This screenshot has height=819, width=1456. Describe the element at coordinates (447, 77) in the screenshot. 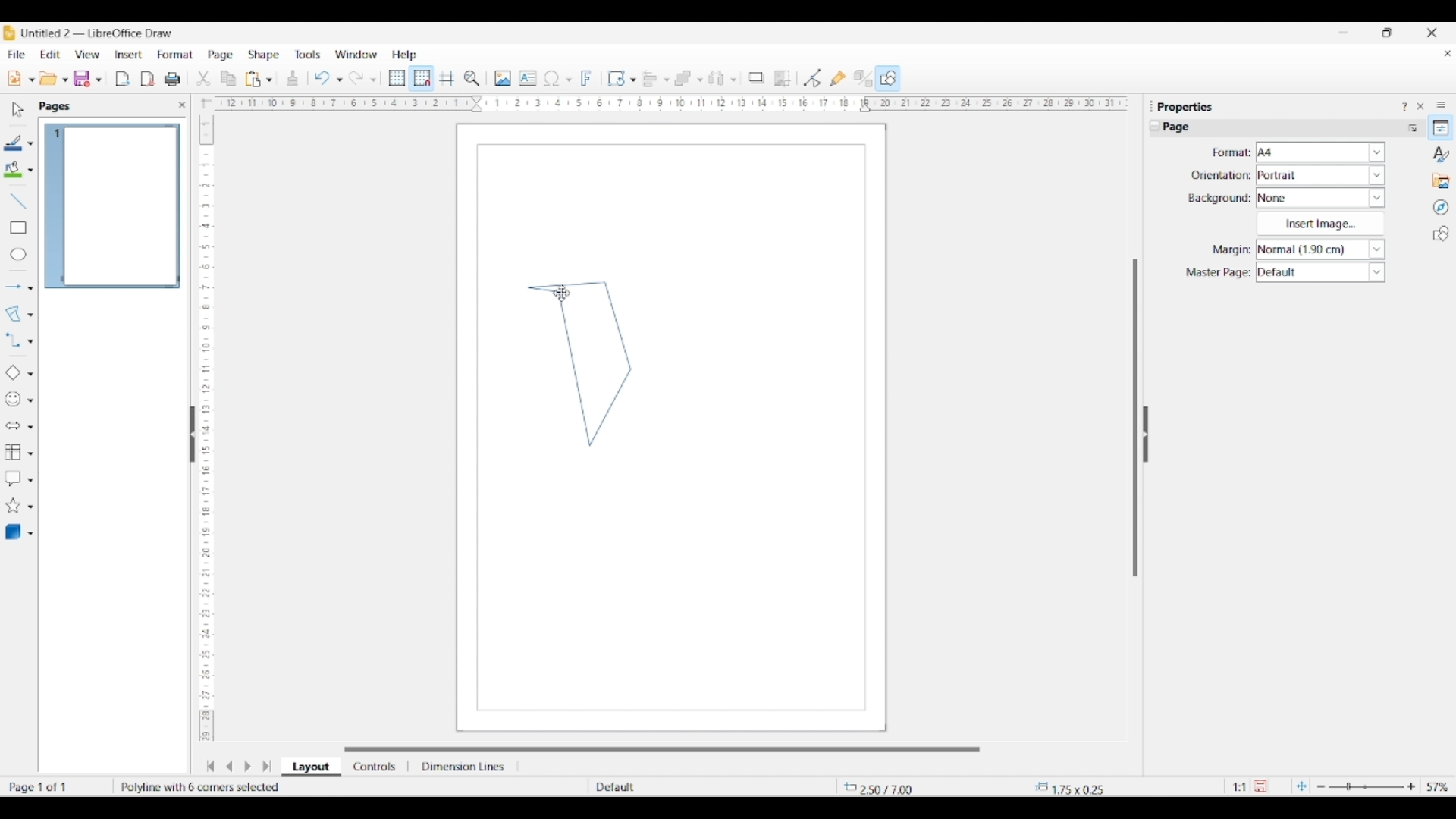

I see `Helplines while moving` at that location.